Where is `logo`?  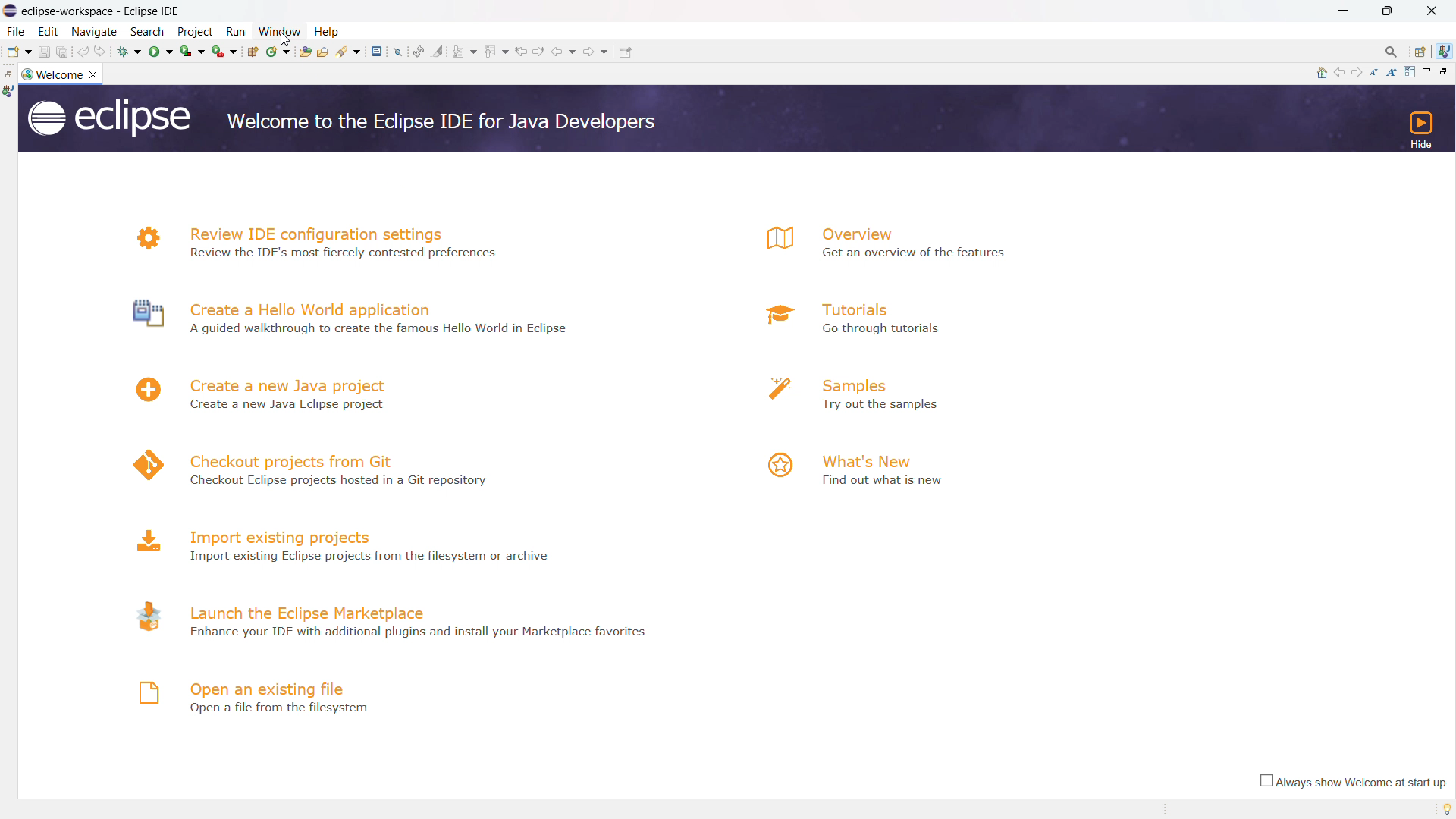 logo is located at coordinates (772, 315).